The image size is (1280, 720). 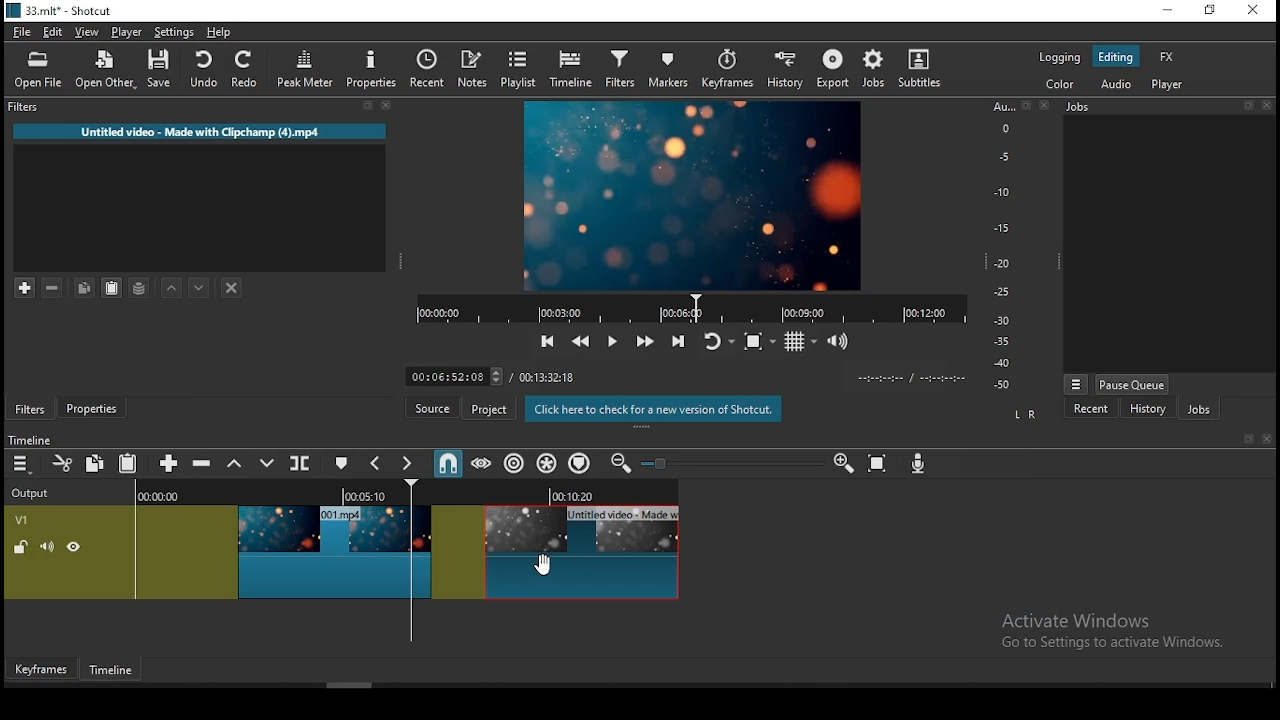 What do you see at coordinates (802, 340) in the screenshot?
I see `toggle grid display on player` at bounding box center [802, 340].